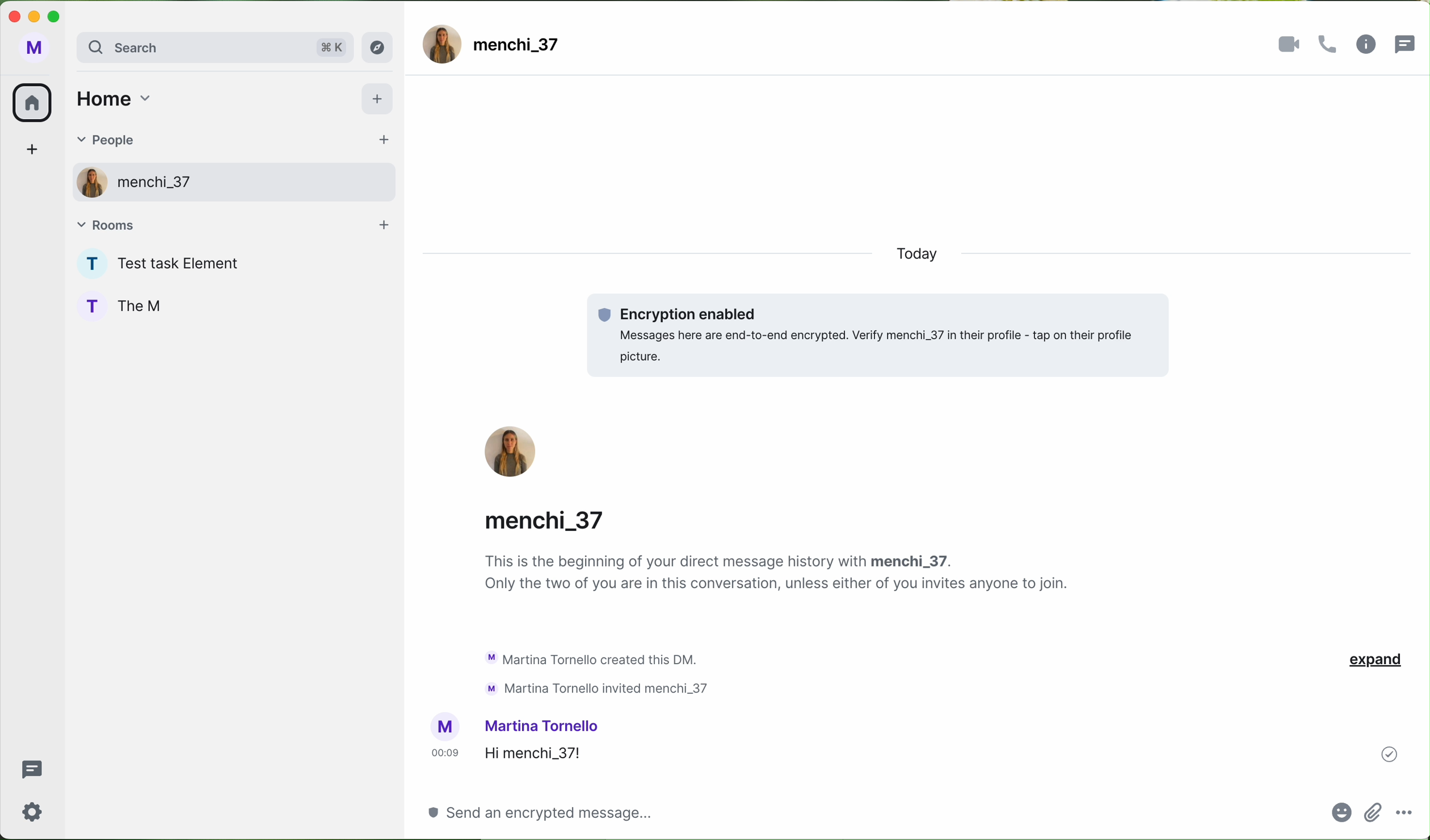 The width and height of the screenshot is (1430, 840). Describe the element at coordinates (1341, 817) in the screenshot. I see `emoji` at that location.